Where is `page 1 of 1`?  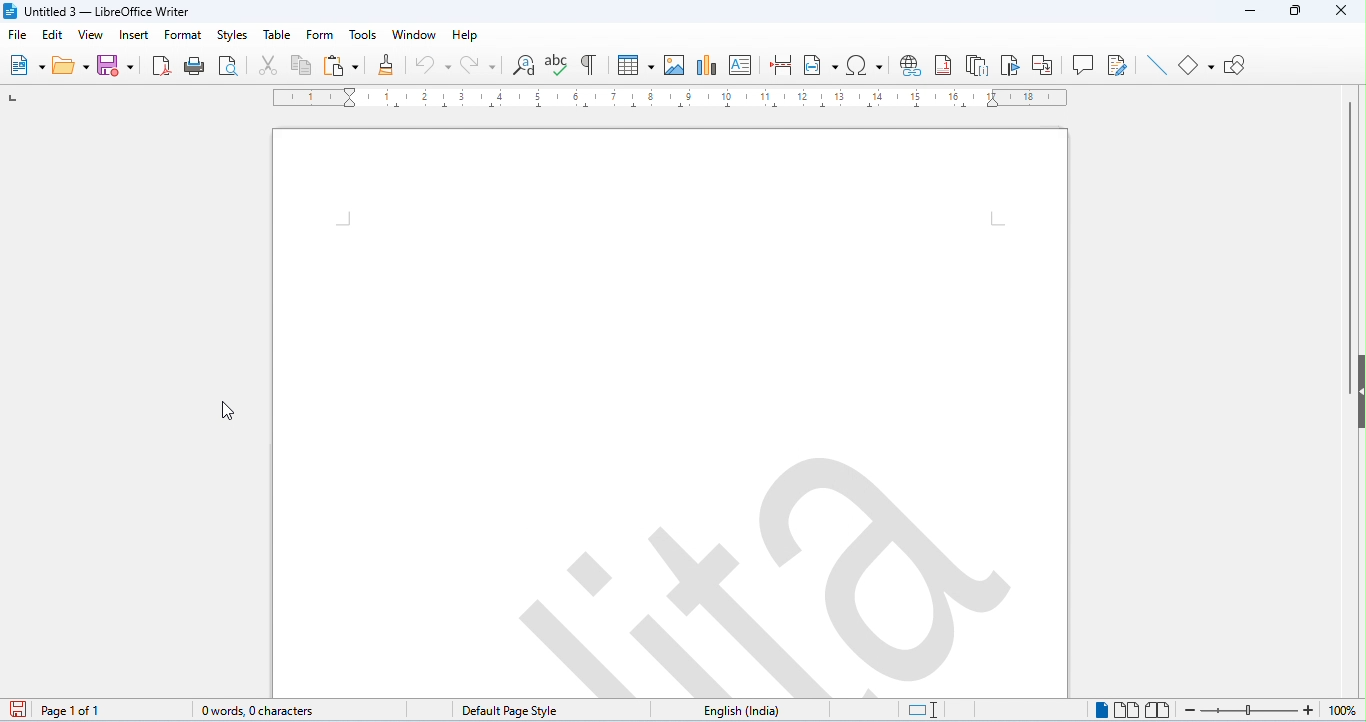 page 1 of 1 is located at coordinates (73, 711).